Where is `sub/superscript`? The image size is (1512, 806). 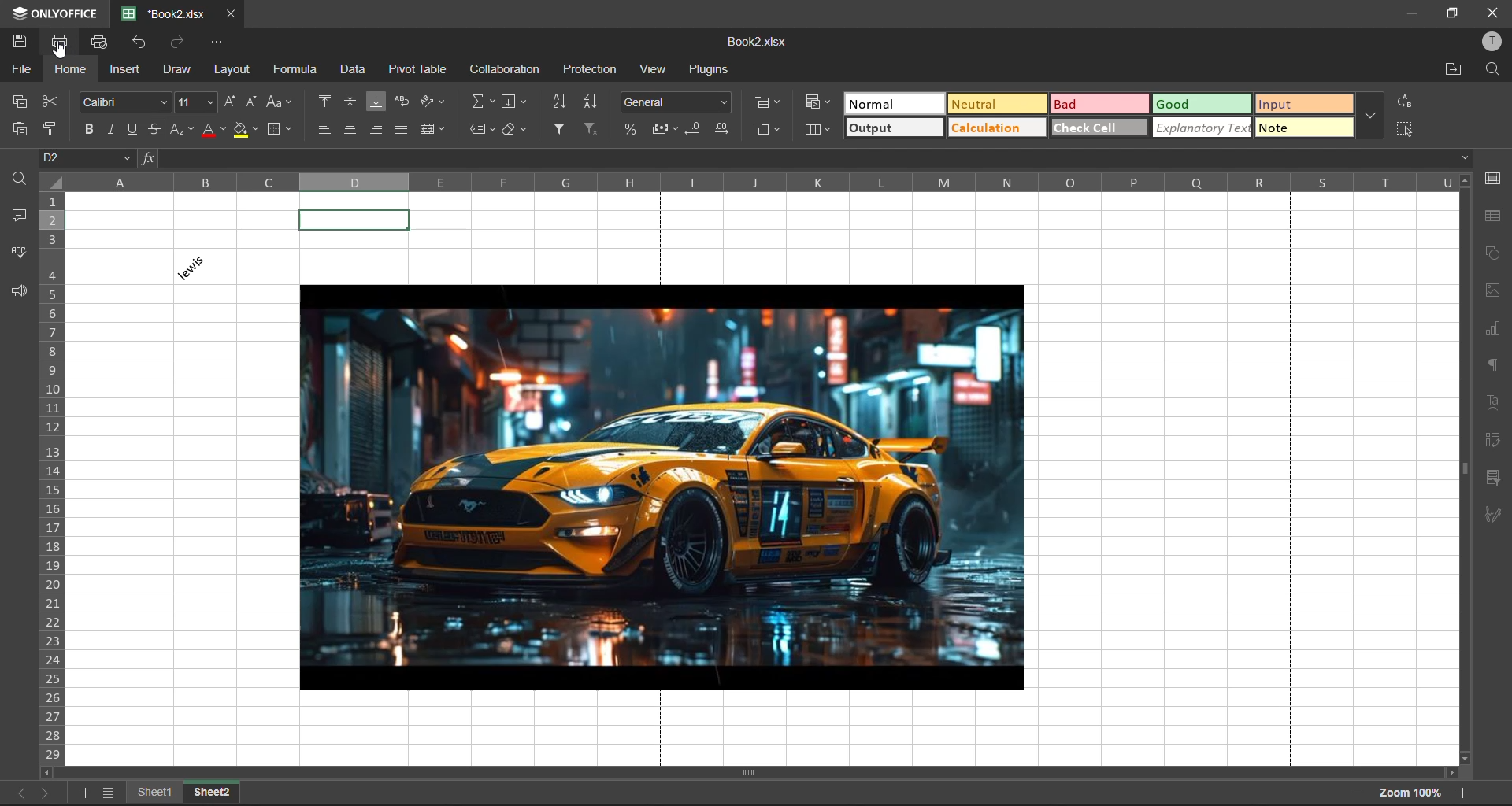
sub/superscript is located at coordinates (183, 131).